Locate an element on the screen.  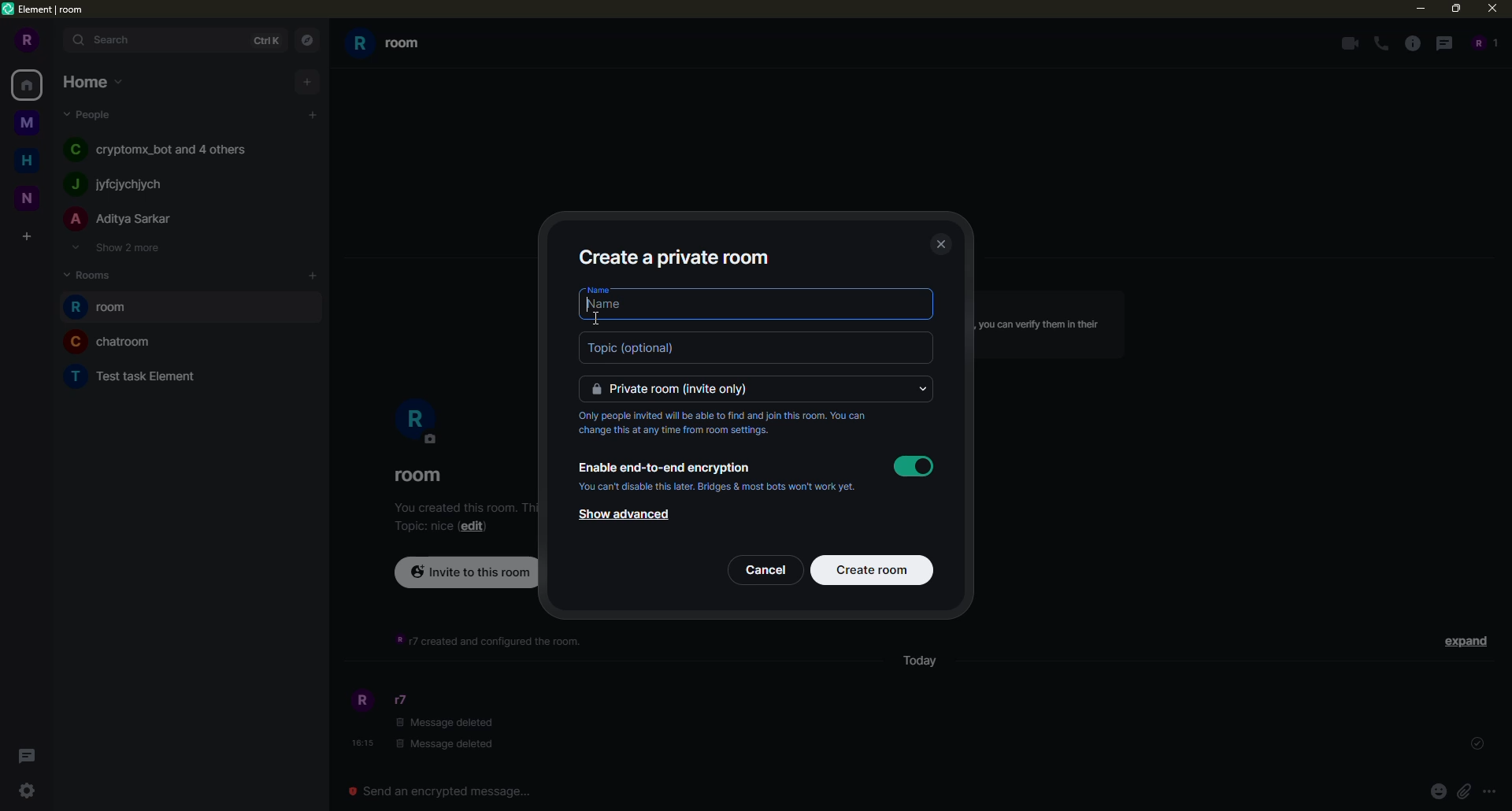
© Send an encrypted message... is located at coordinates (443, 791).